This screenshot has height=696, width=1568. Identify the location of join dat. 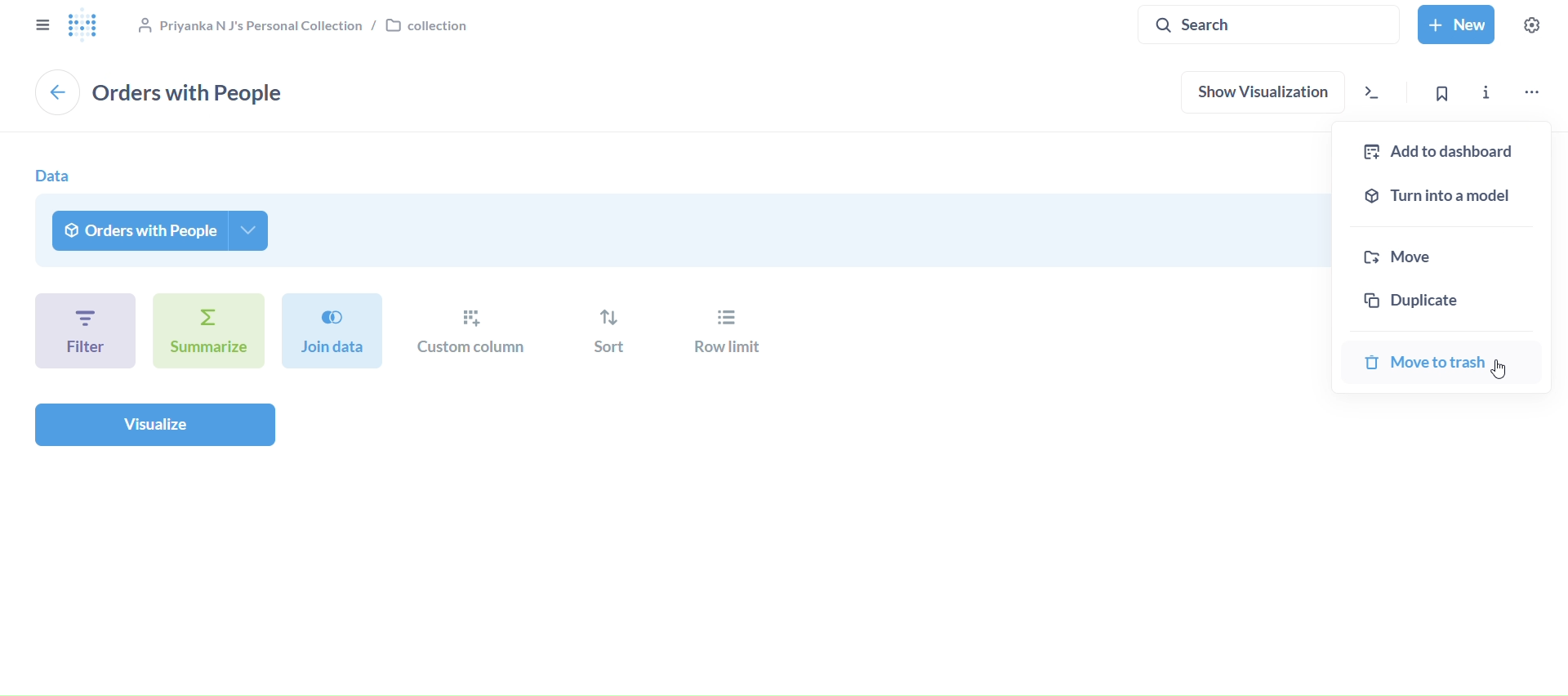
(329, 331).